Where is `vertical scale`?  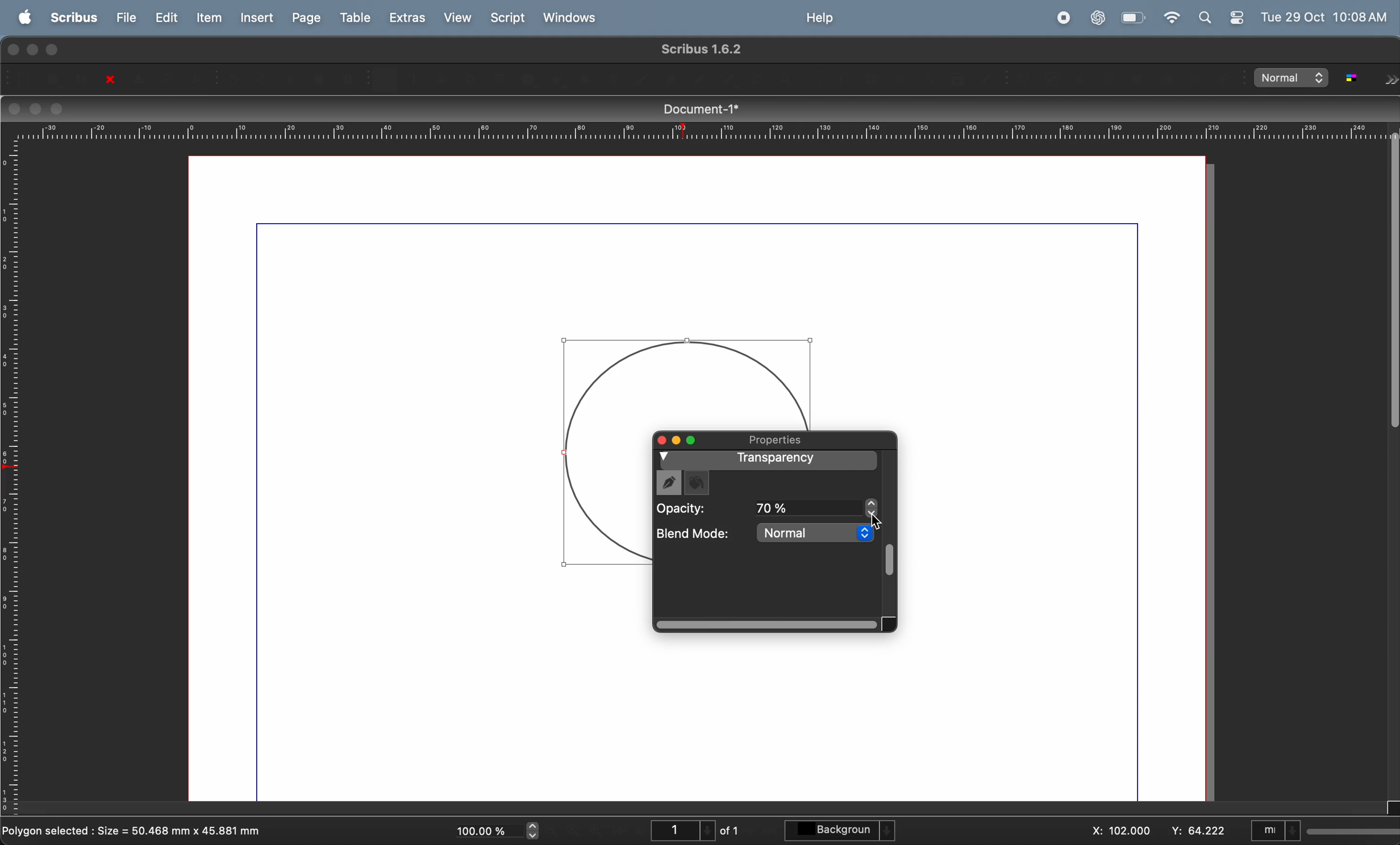 vertical scale is located at coordinates (14, 480).